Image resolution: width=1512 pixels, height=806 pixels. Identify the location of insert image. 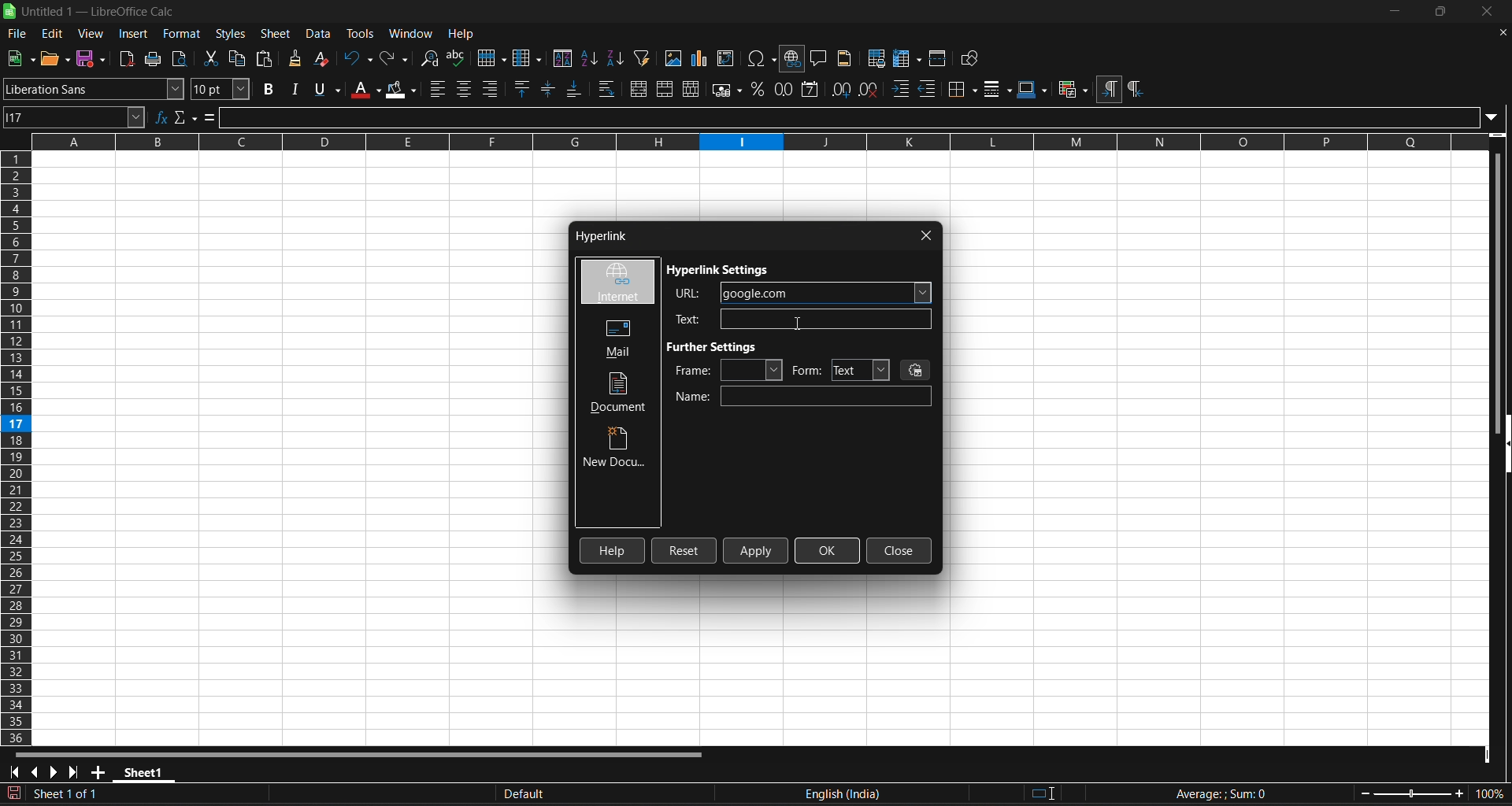
(674, 58).